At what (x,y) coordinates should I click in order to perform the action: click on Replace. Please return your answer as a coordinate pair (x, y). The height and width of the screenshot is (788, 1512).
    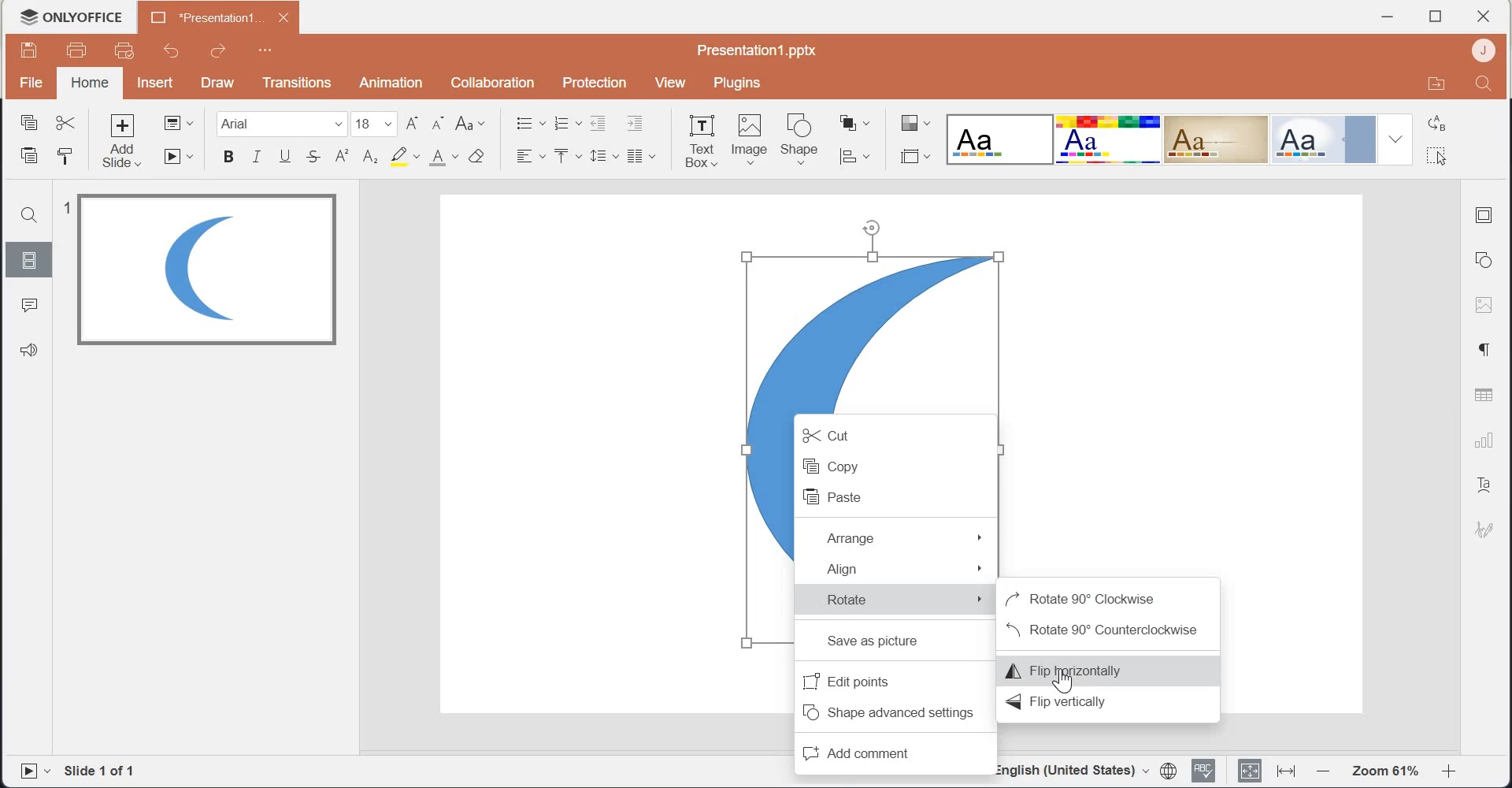
    Looking at the image, I should click on (1441, 121).